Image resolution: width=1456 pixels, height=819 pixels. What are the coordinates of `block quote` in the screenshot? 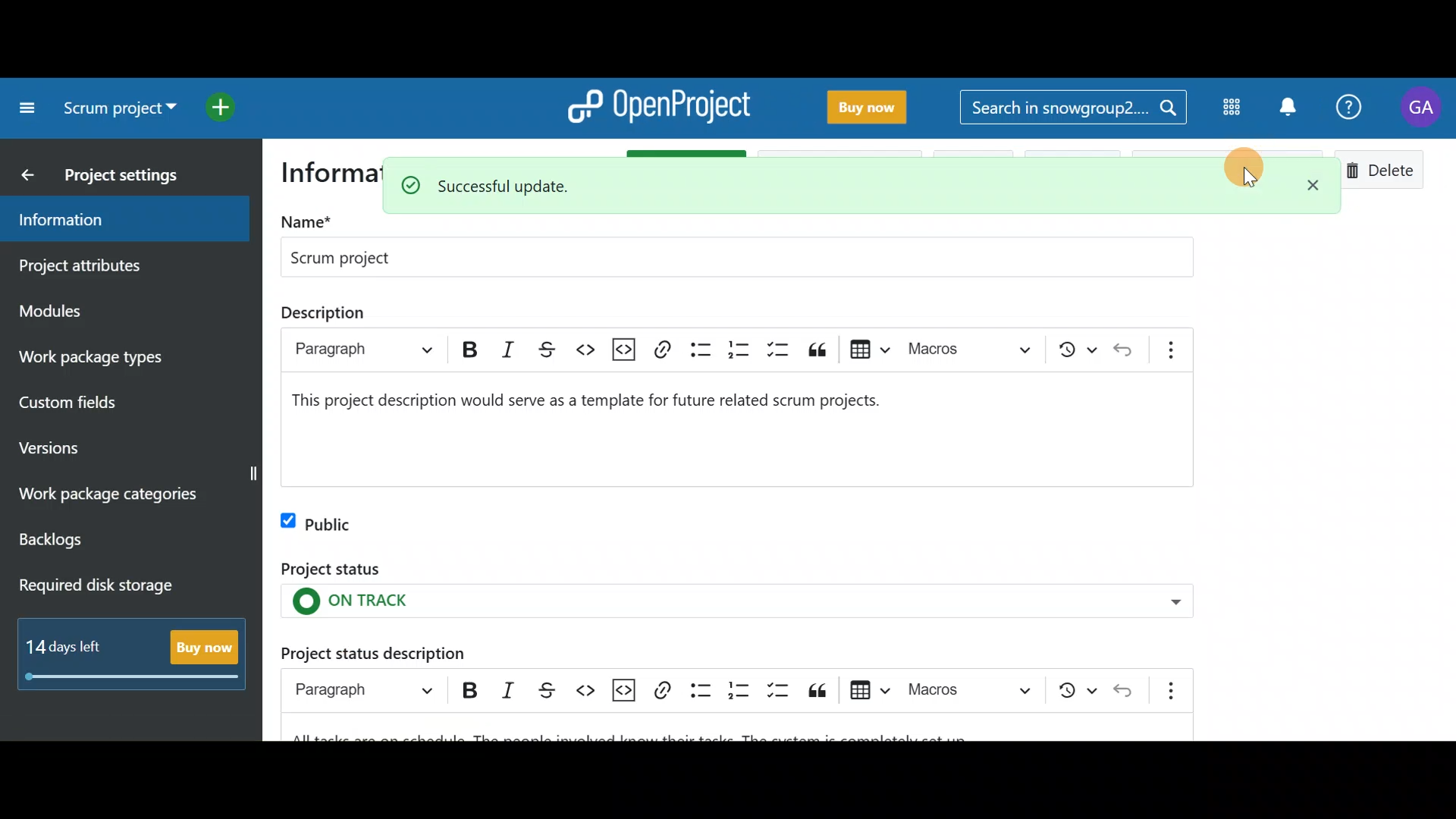 It's located at (816, 350).